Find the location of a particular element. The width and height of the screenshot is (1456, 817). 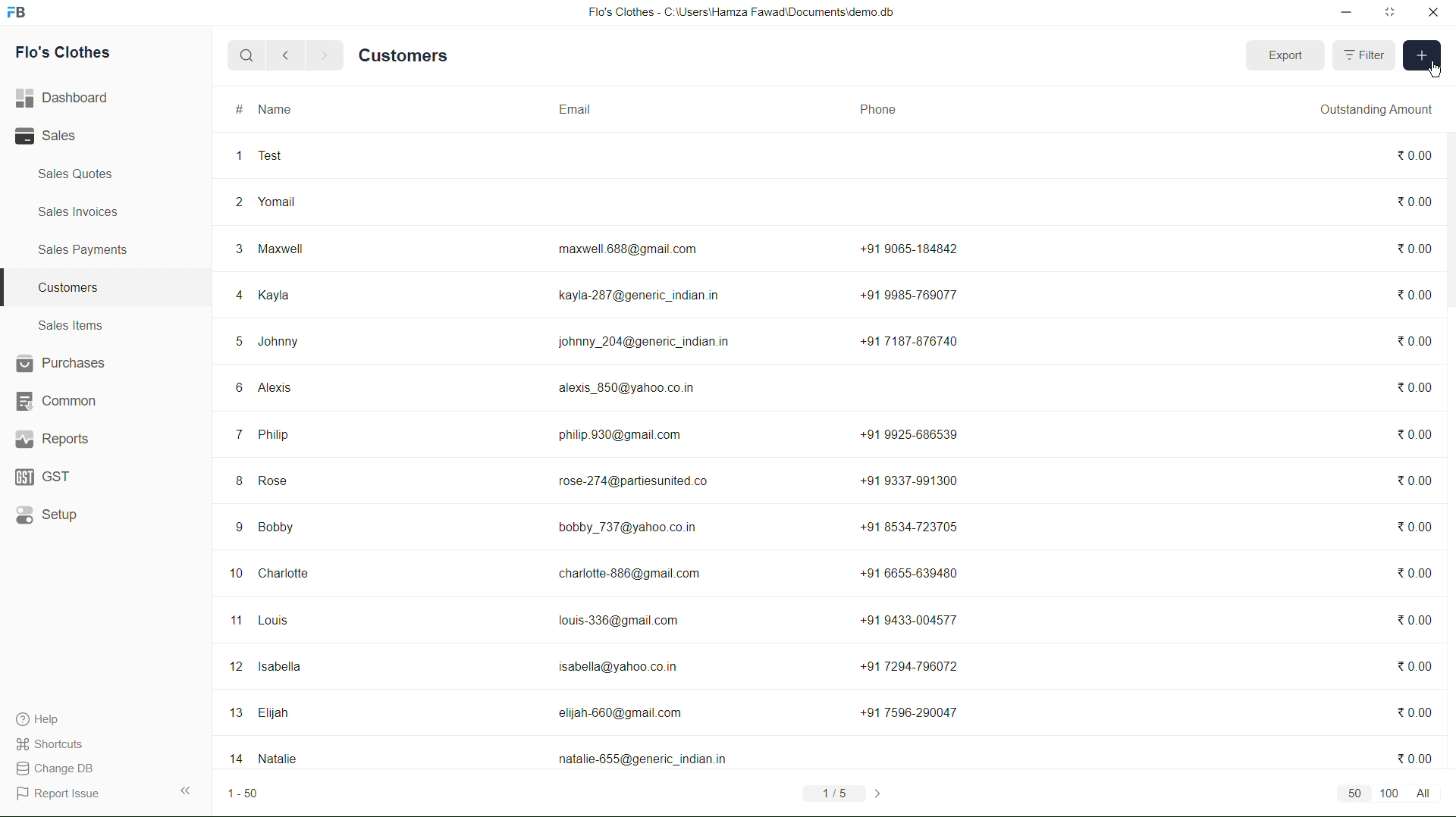

GST is located at coordinates (44, 478).